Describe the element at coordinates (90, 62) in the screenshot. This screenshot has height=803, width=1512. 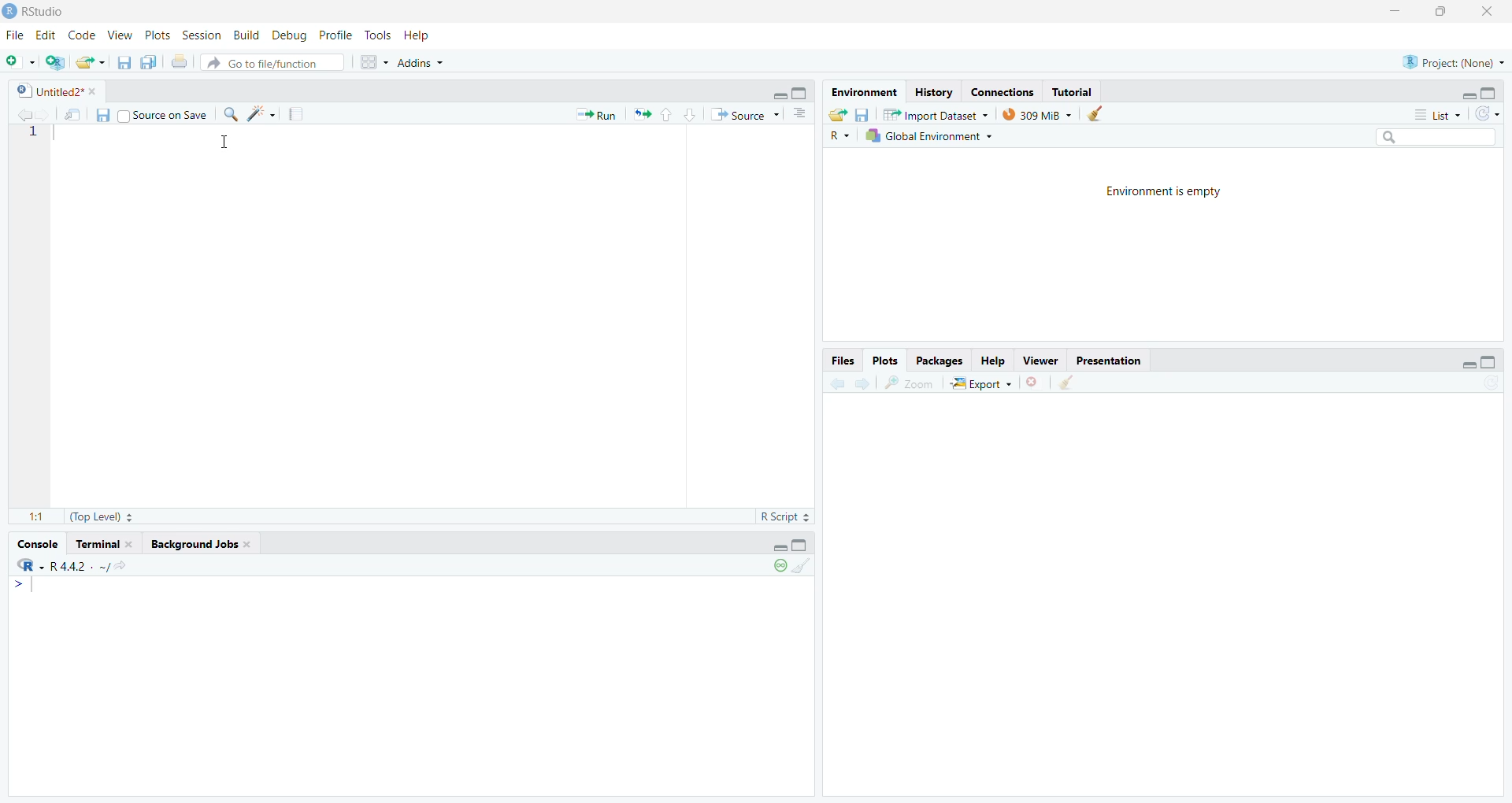
I see `export` at that location.